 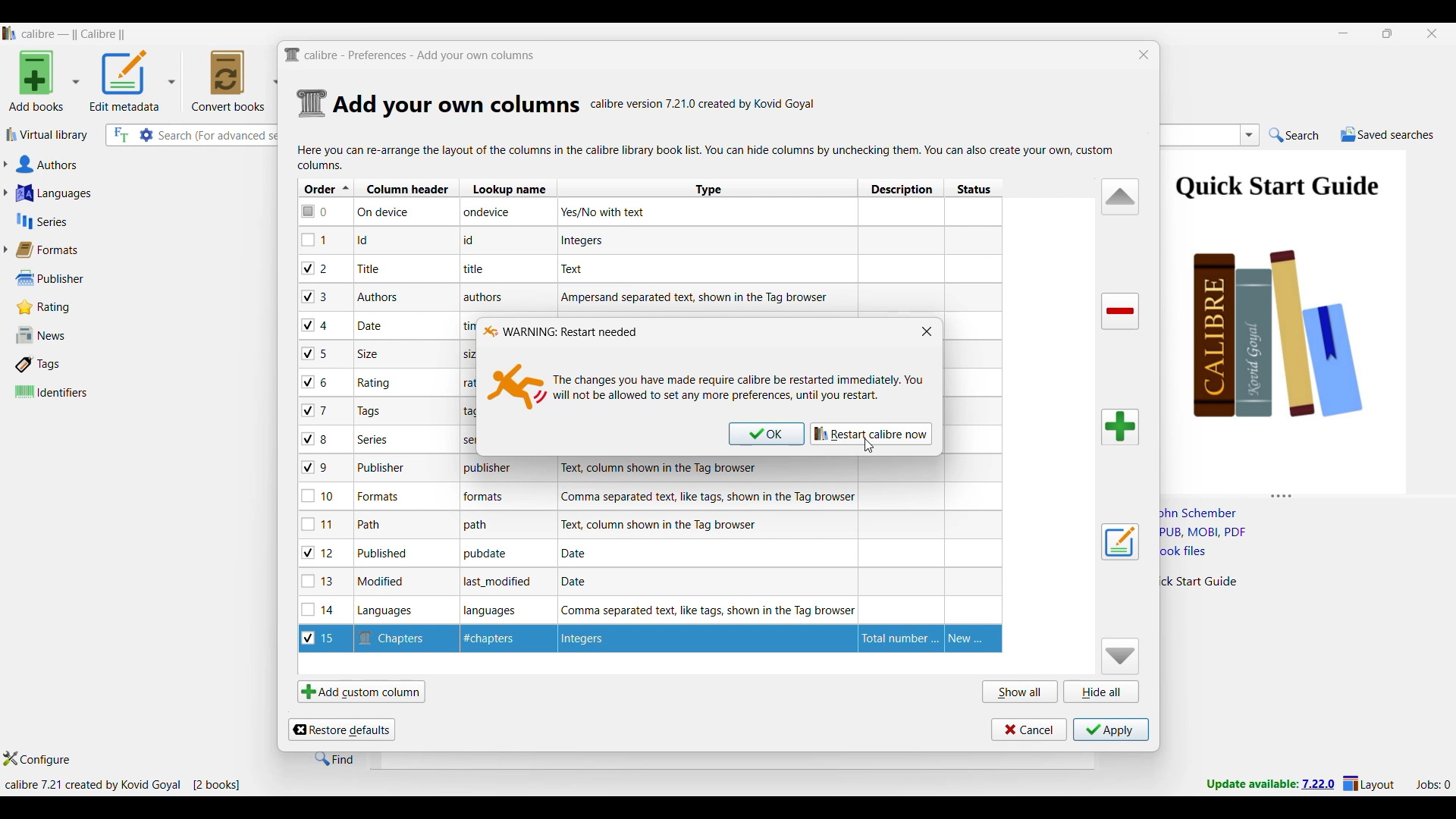 I want to click on note, so click(x=482, y=271).